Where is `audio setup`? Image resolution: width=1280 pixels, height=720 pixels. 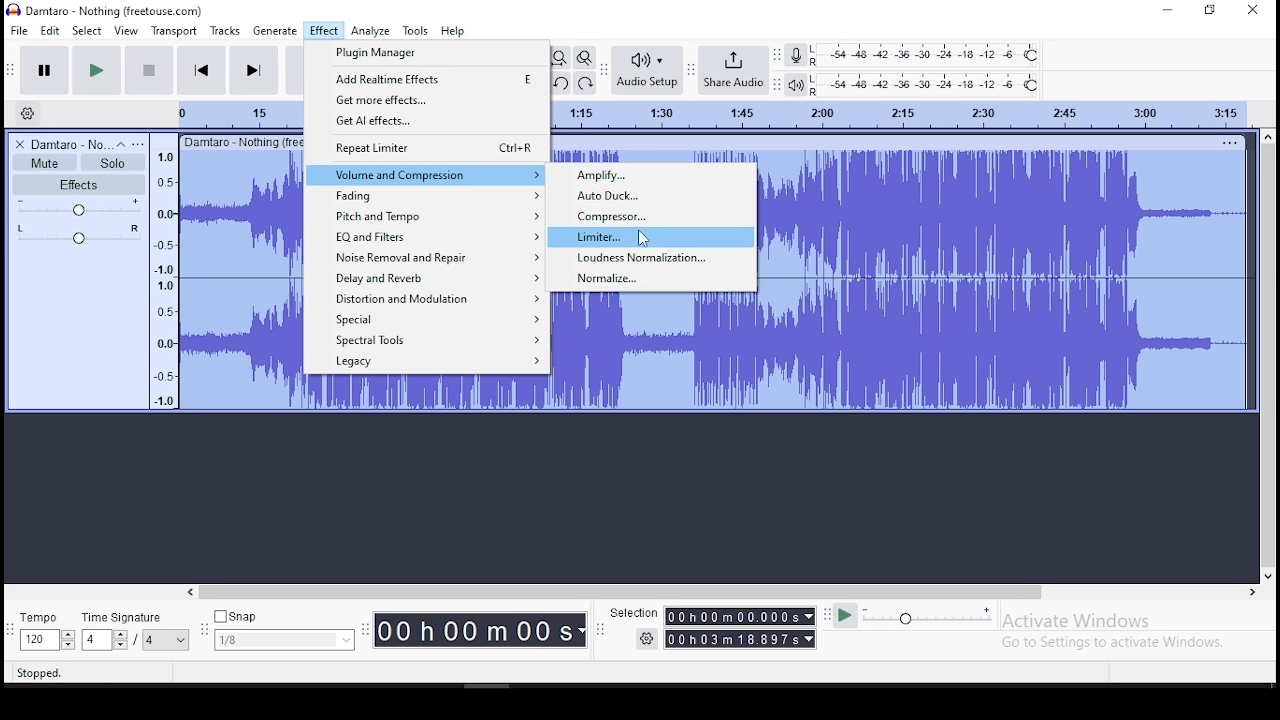
audio setup is located at coordinates (645, 70).